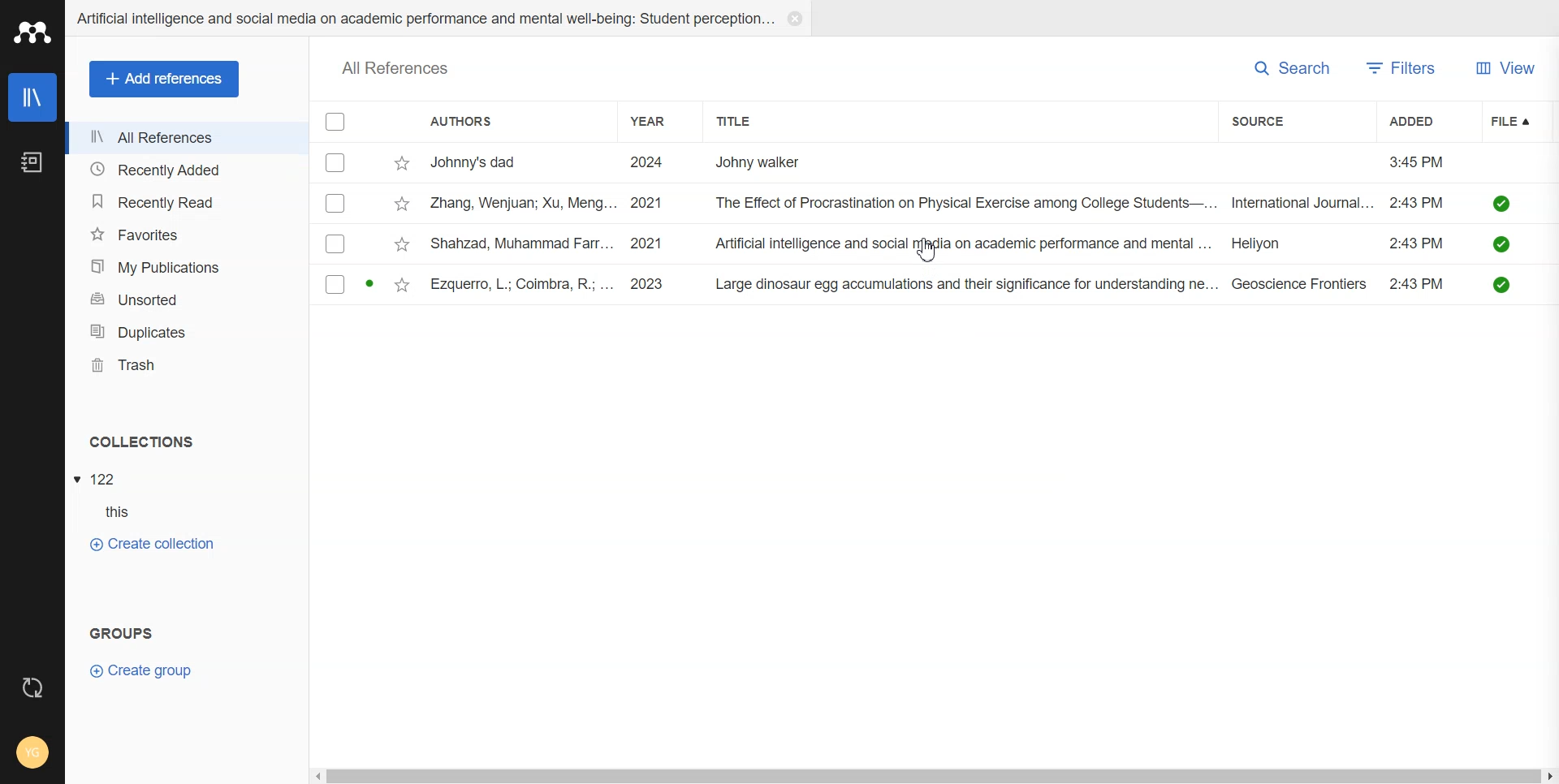 The height and width of the screenshot is (784, 1559). What do you see at coordinates (31, 163) in the screenshot?
I see `Notebook` at bounding box center [31, 163].